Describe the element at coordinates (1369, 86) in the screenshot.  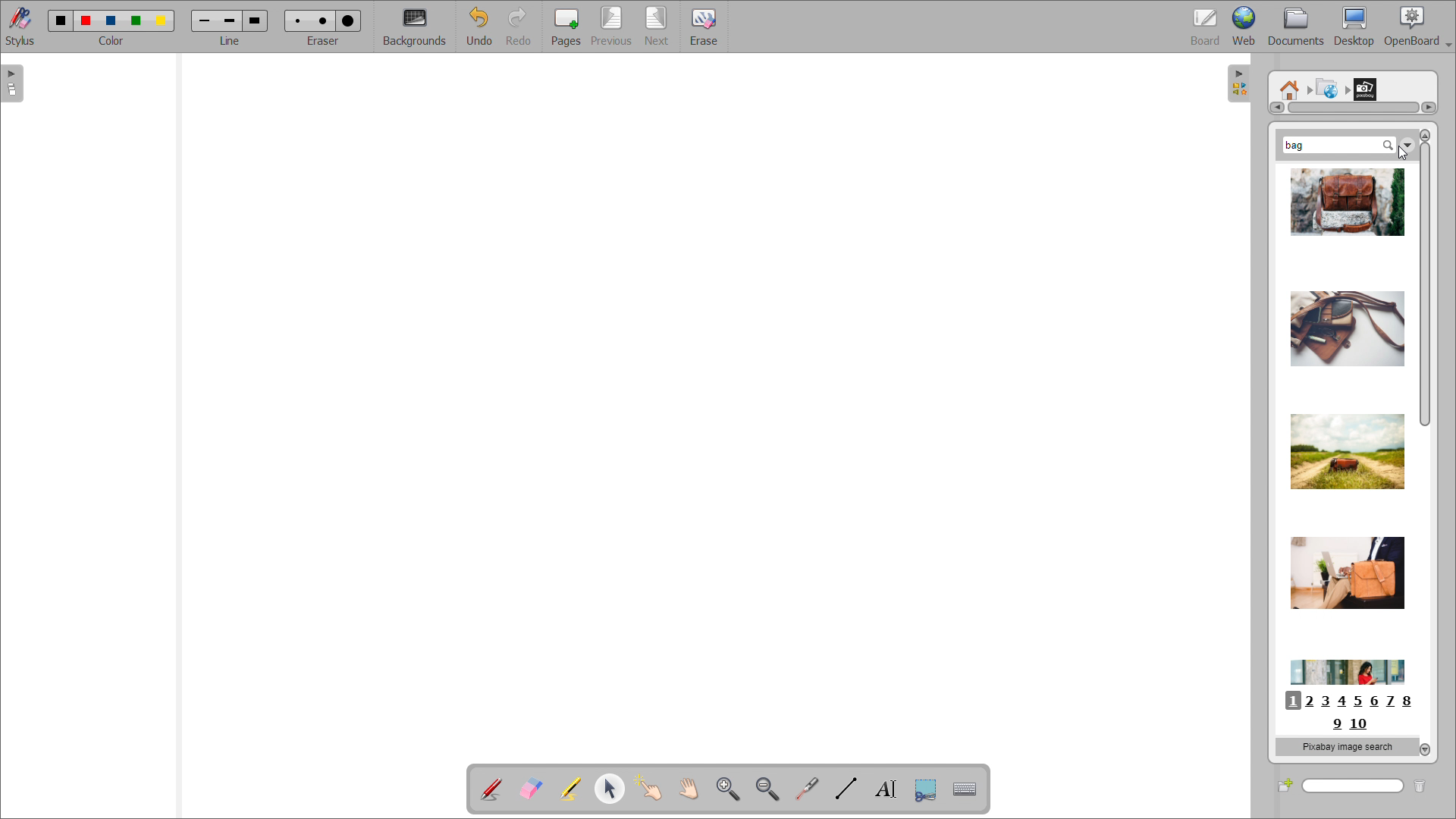
I see `Pixabay` at that location.